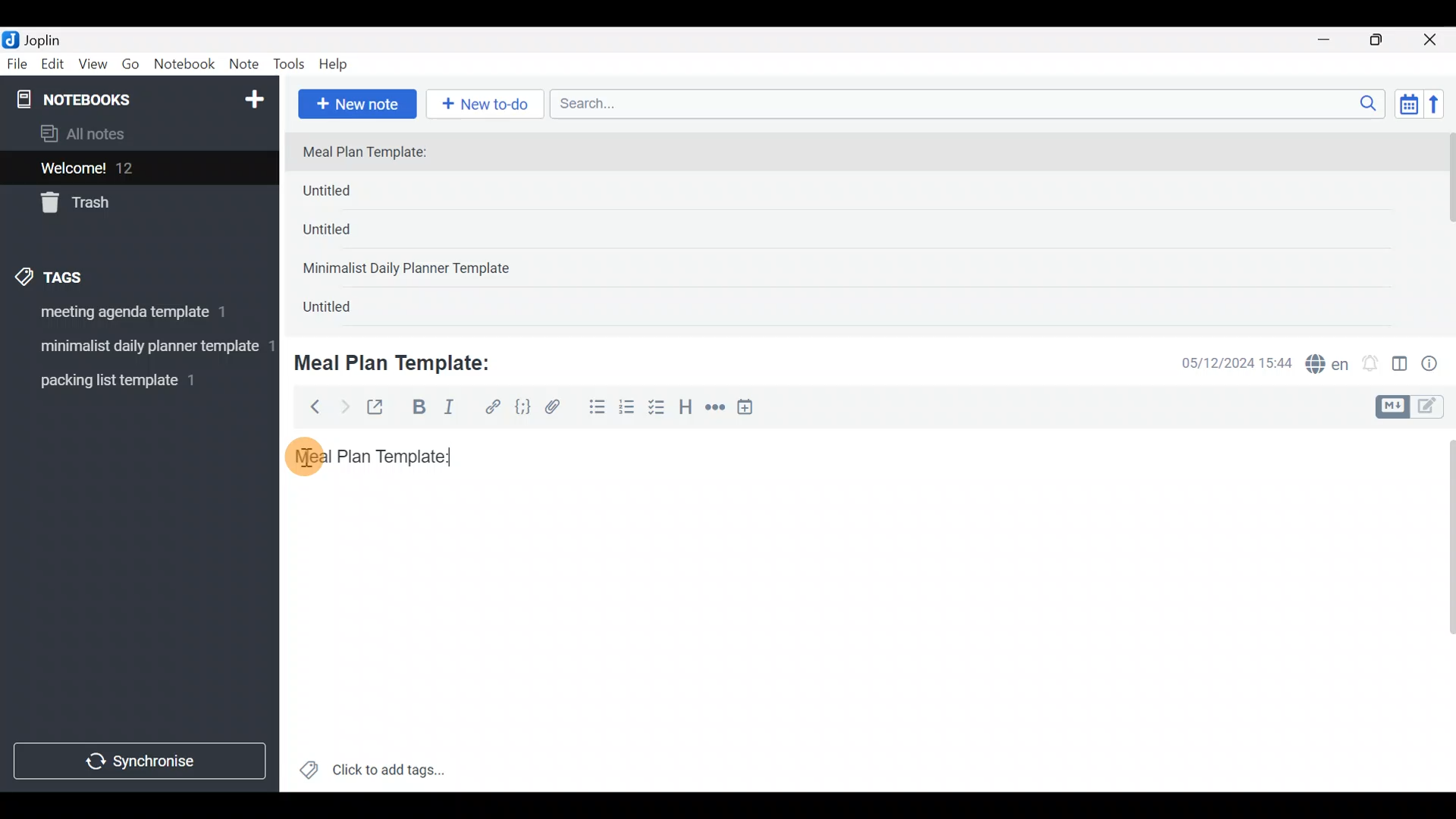 This screenshot has height=819, width=1456. I want to click on Maximize, so click(1385, 40).